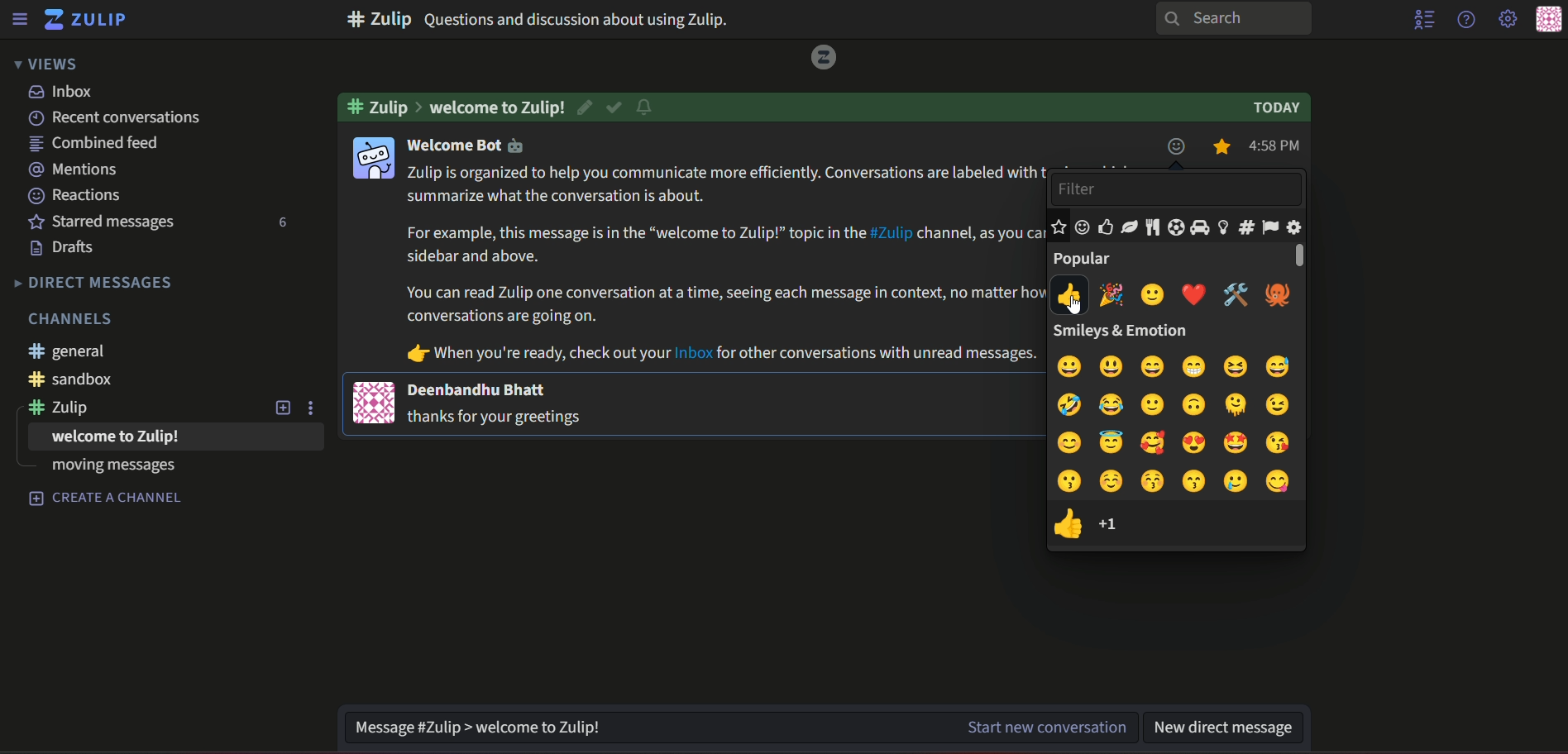 This screenshot has height=754, width=1568. Describe the element at coordinates (584, 107) in the screenshot. I see `edit` at that location.